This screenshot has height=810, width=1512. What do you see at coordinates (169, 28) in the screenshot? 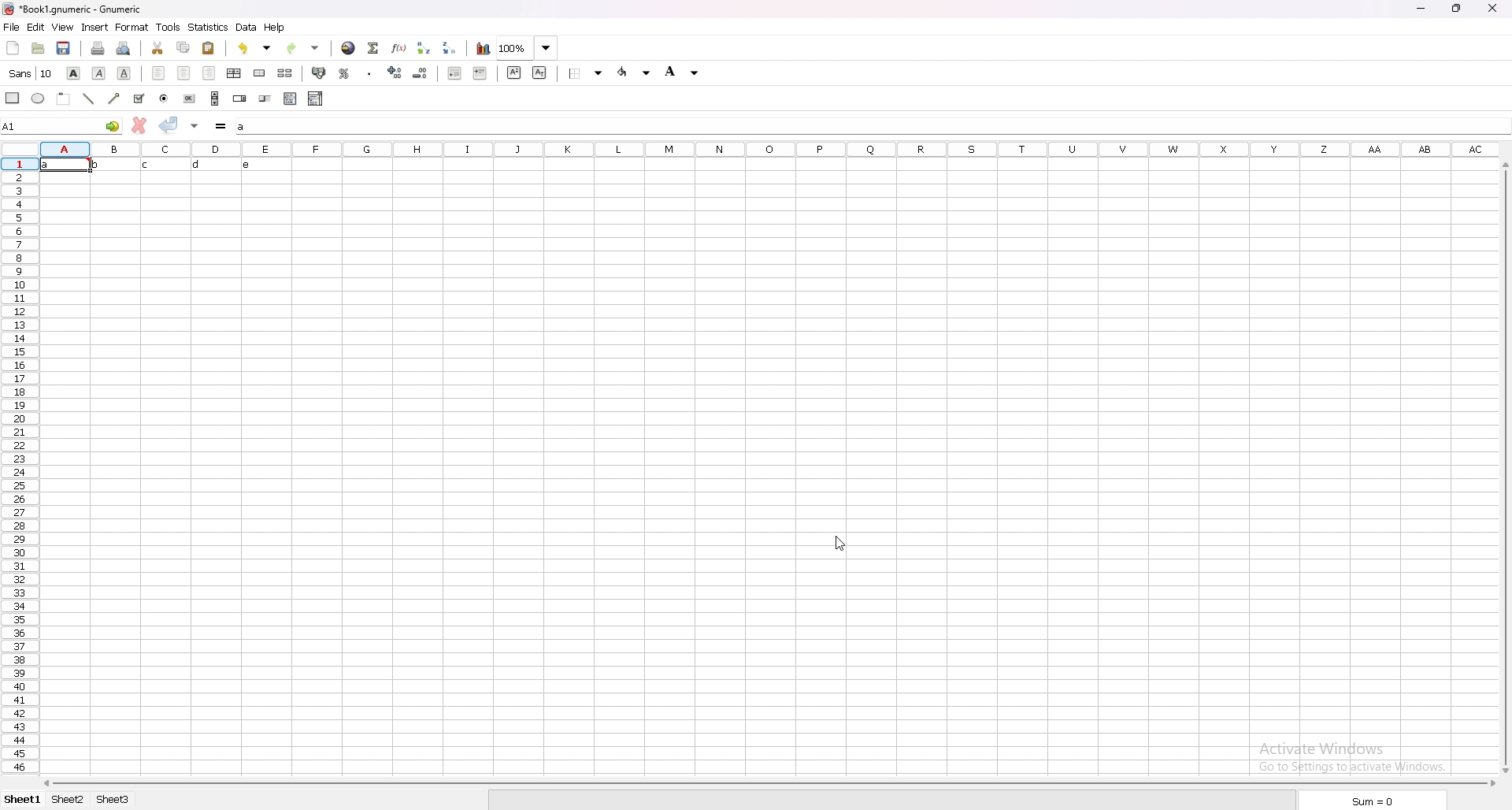
I see `tools` at bounding box center [169, 28].